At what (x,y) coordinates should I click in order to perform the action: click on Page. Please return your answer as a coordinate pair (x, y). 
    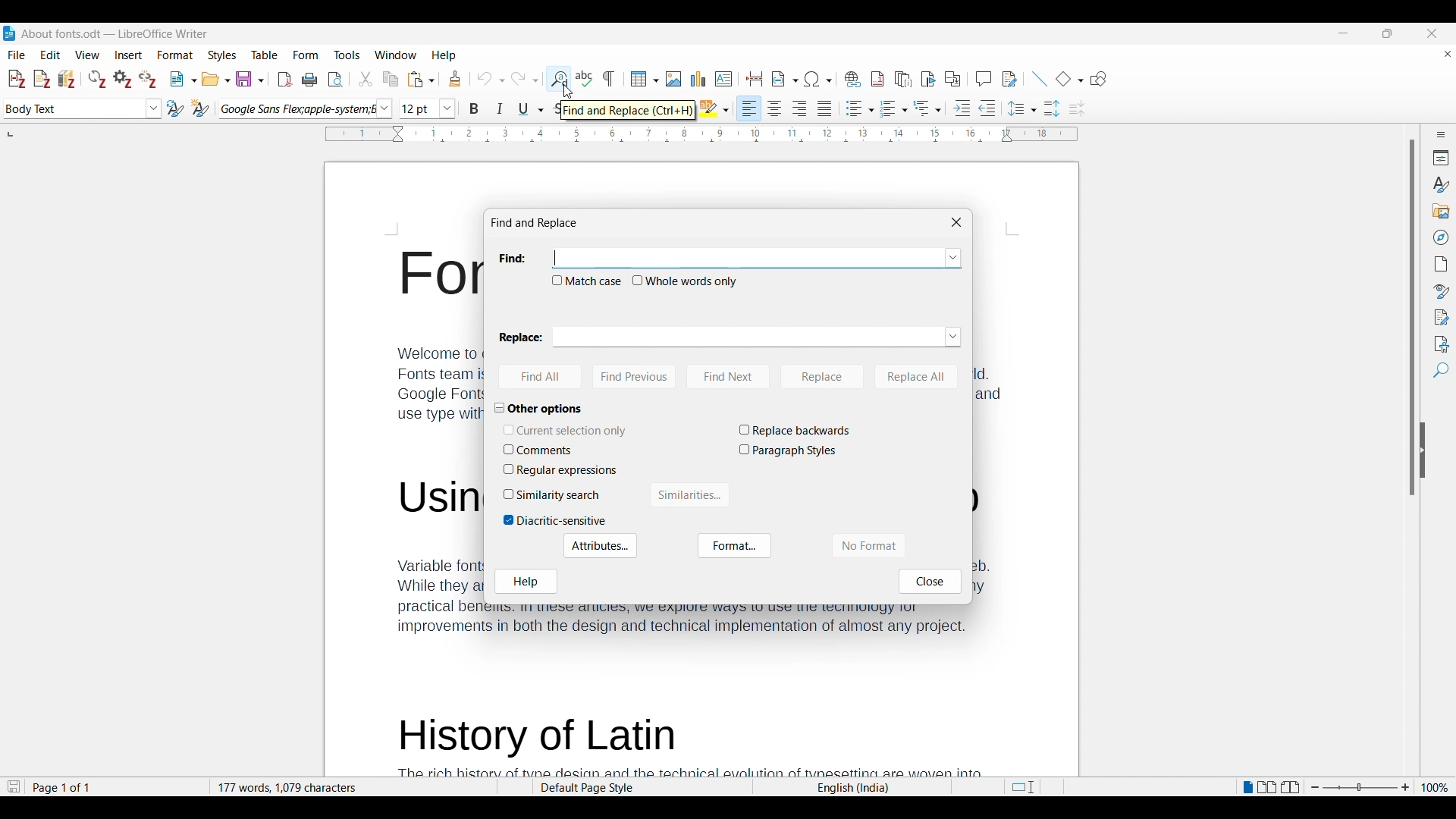
    Looking at the image, I should click on (1440, 264).